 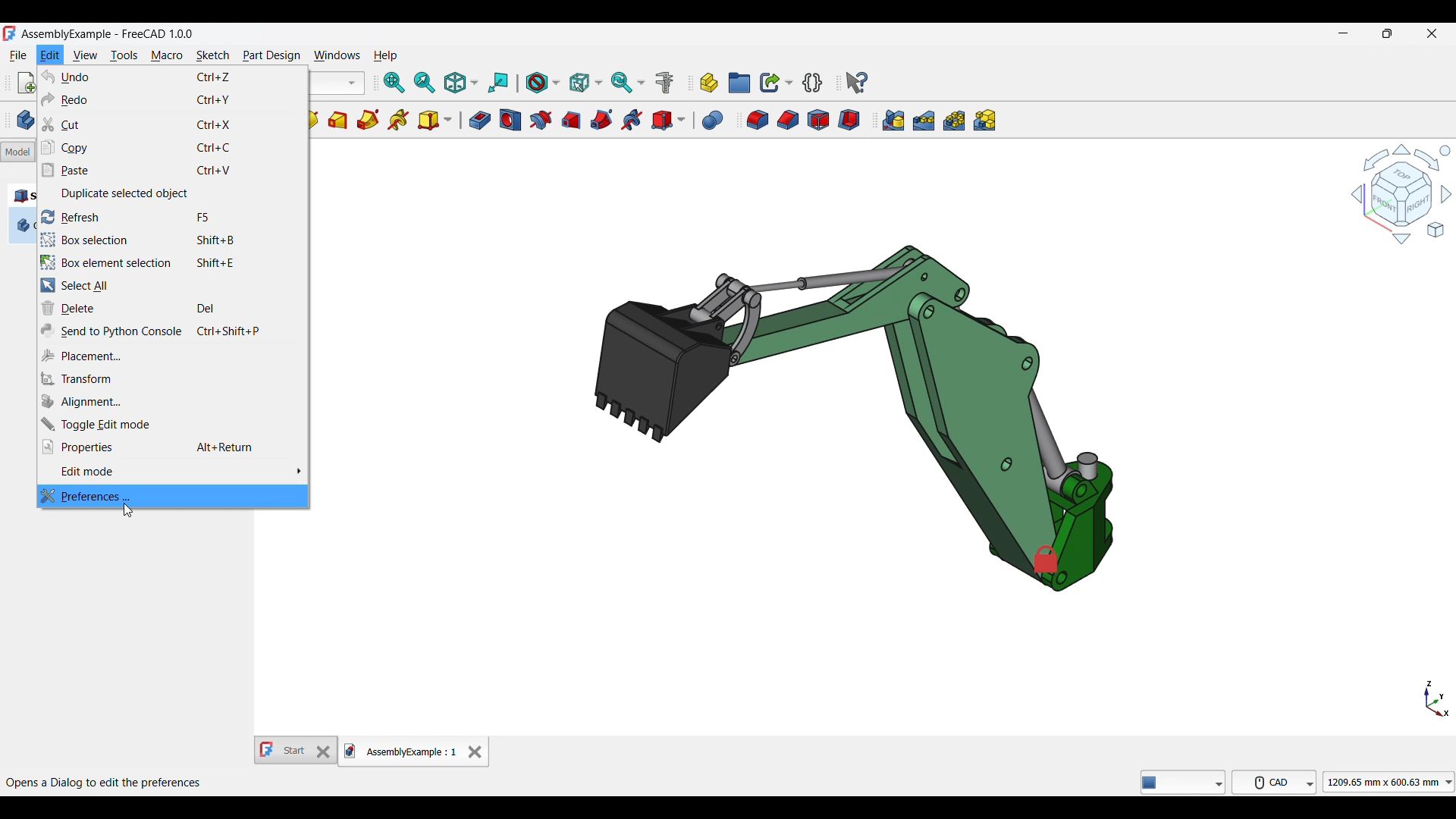 What do you see at coordinates (174, 217) in the screenshot?
I see `Refresh` at bounding box center [174, 217].